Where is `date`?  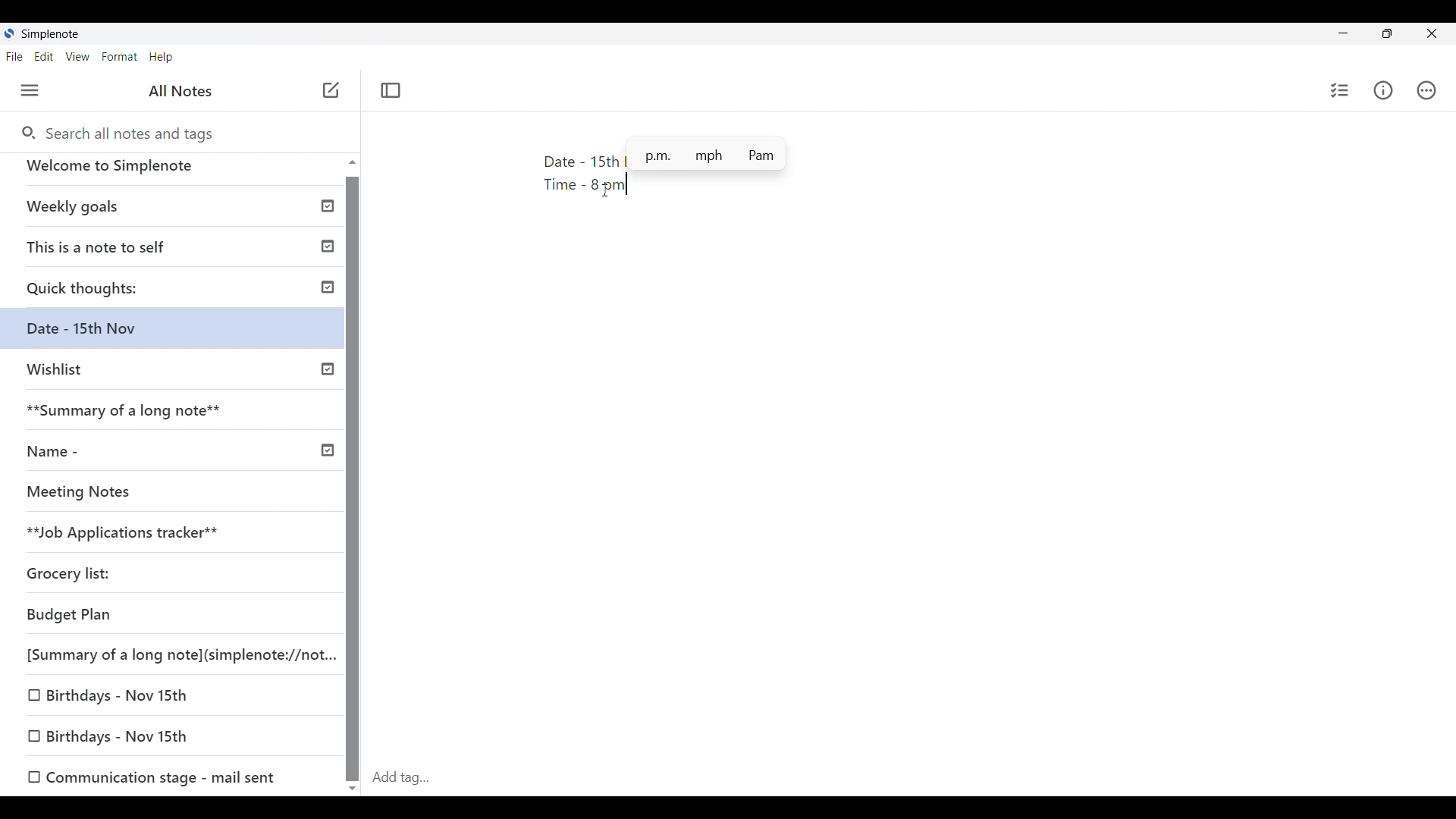 date is located at coordinates (162, 616).